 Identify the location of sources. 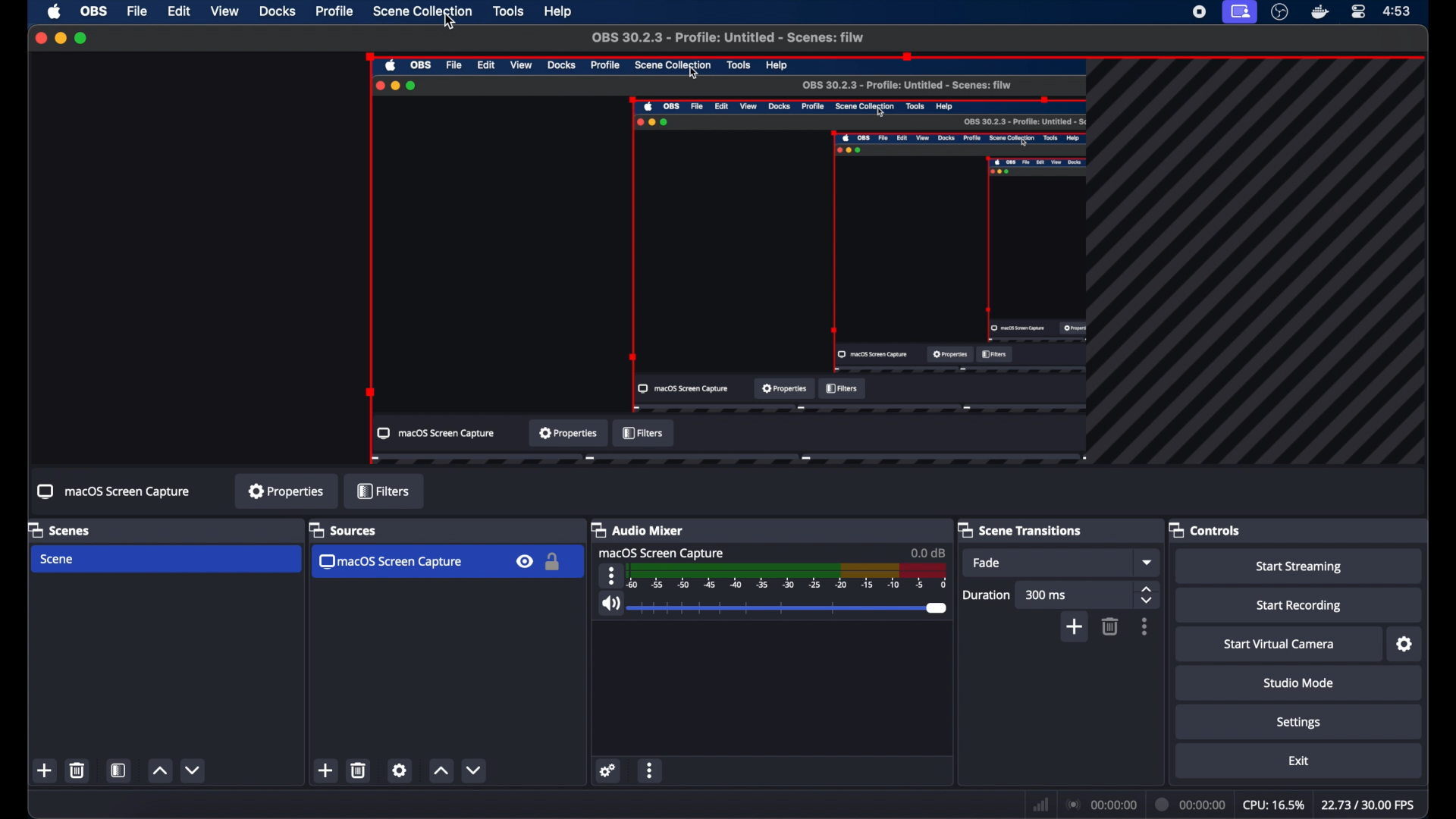
(343, 531).